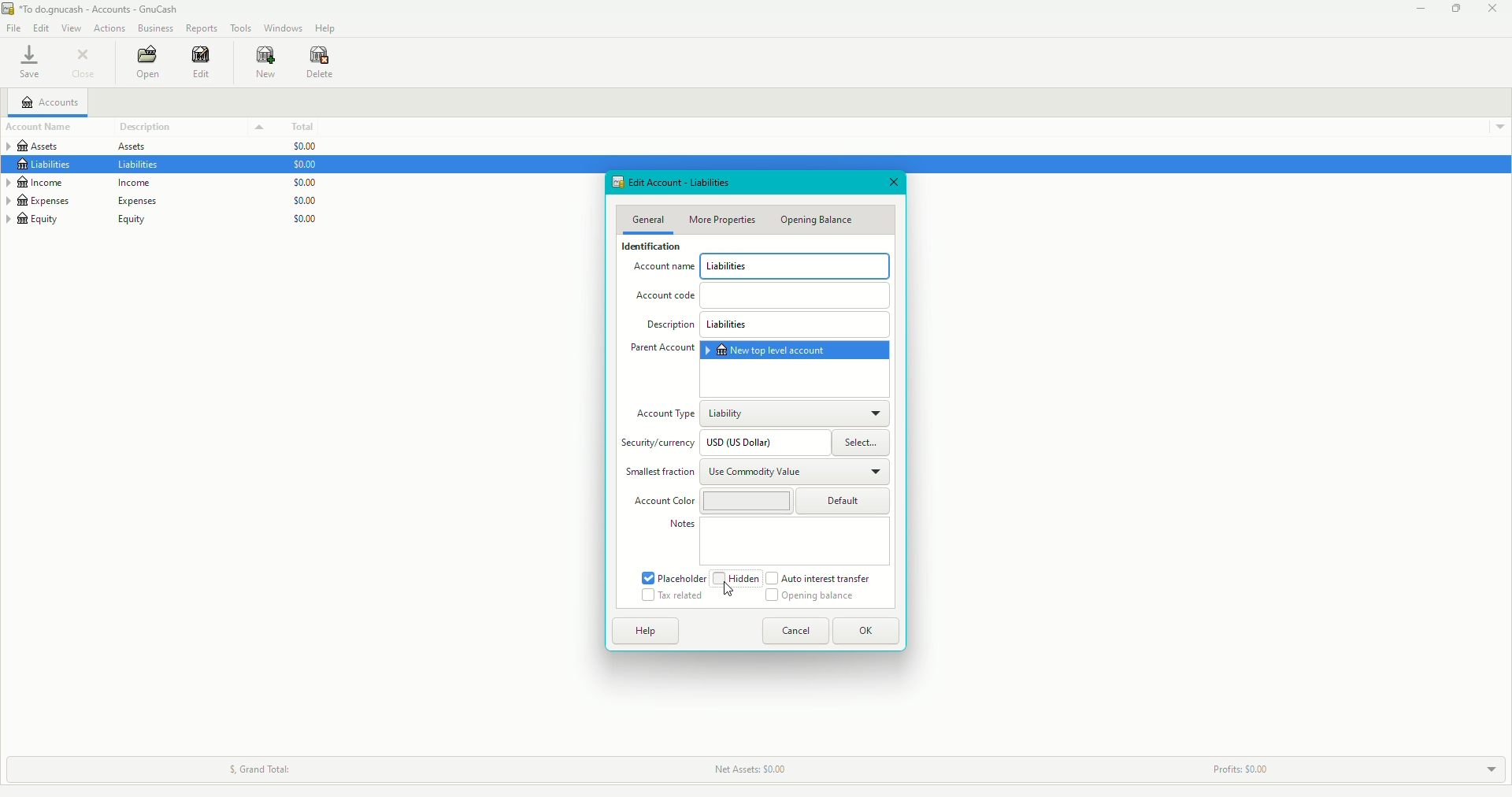 This screenshot has width=1512, height=797. I want to click on Accounts, so click(50, 101).